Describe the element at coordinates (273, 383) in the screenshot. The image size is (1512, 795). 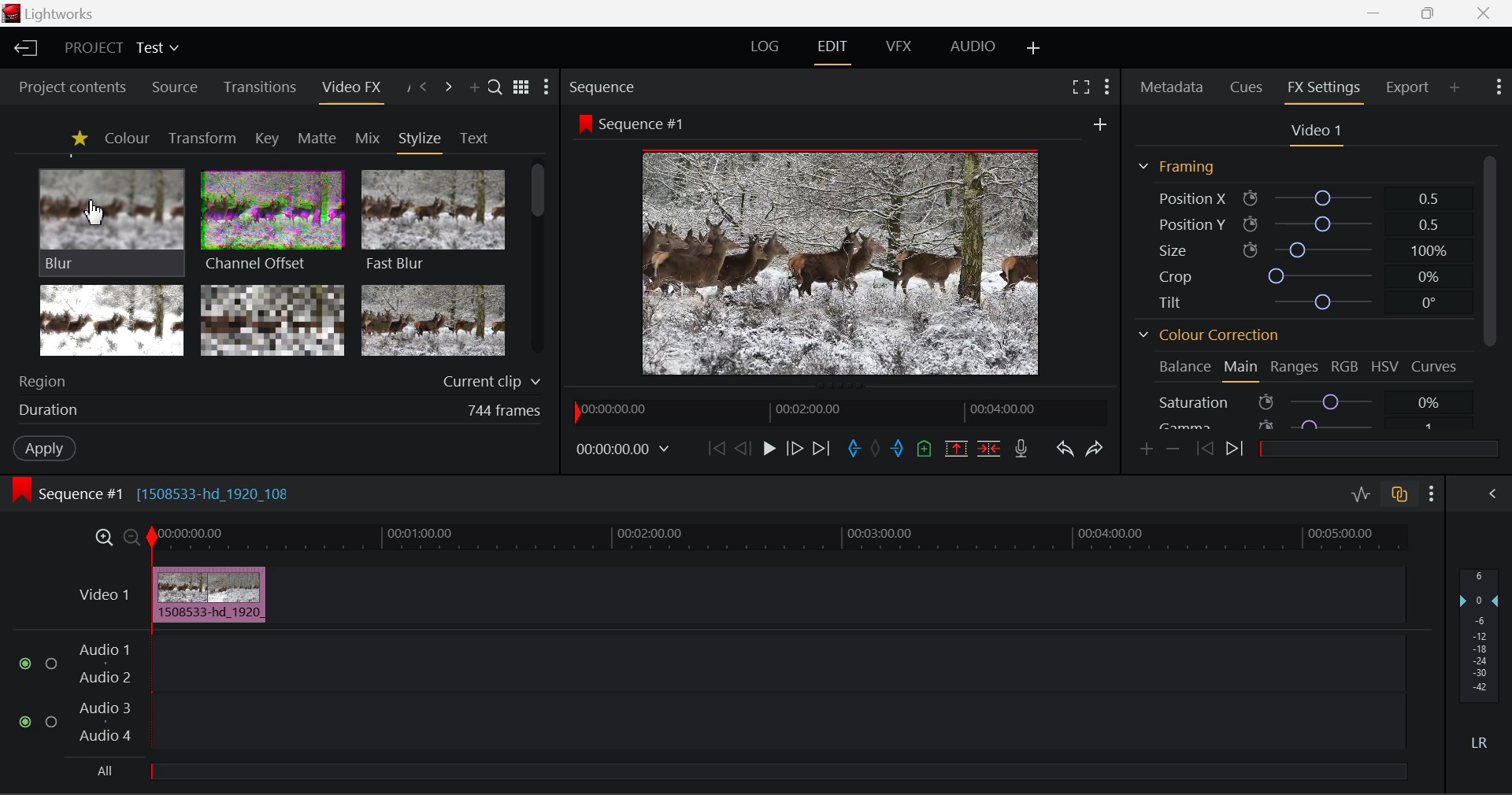
I see `Region of Effect` at that location.